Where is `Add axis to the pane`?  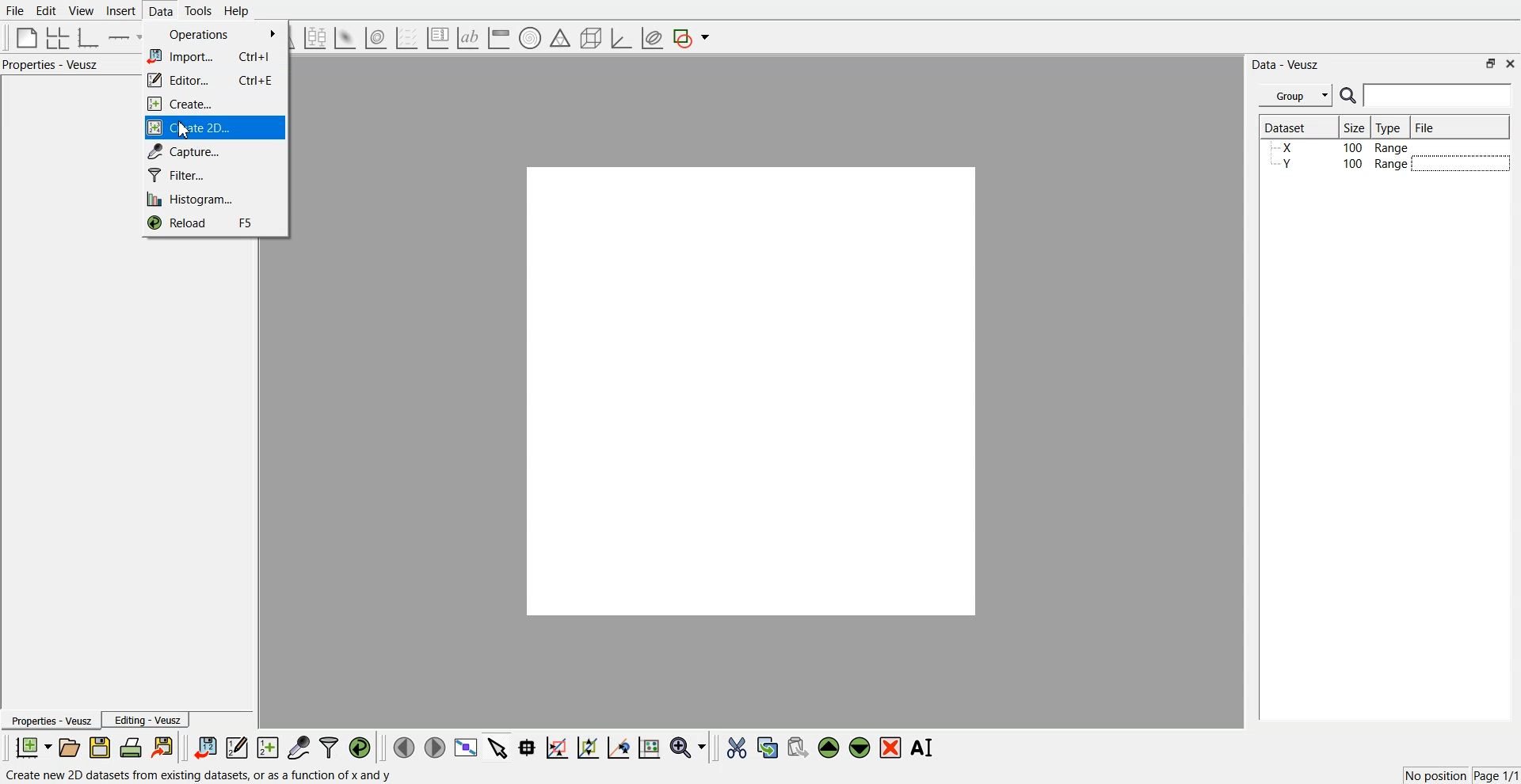
Add axis to the pane is located at coordinates (124, 39).